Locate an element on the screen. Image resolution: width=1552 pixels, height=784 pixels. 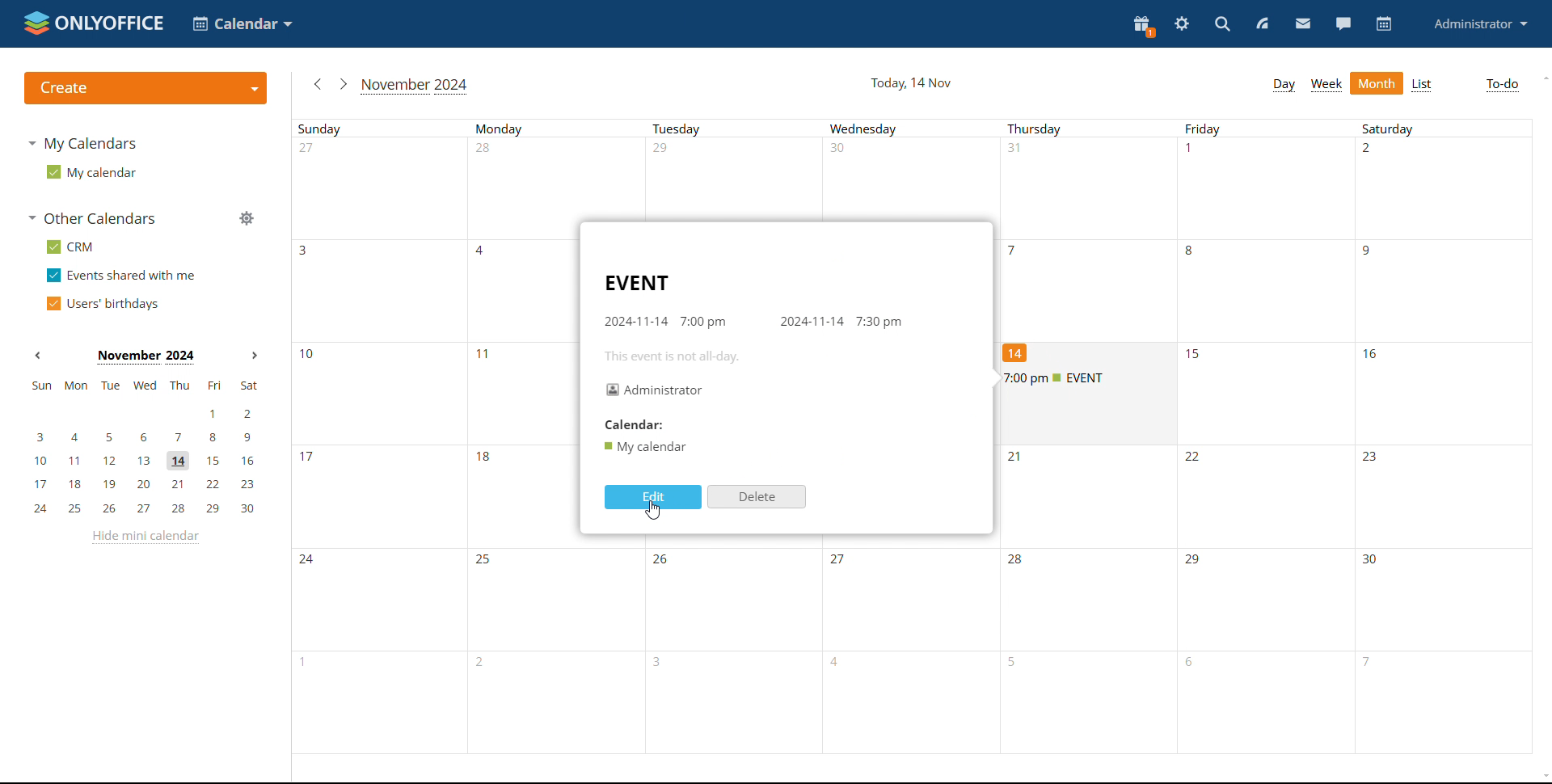
select application is located at coordinates (244, 23).